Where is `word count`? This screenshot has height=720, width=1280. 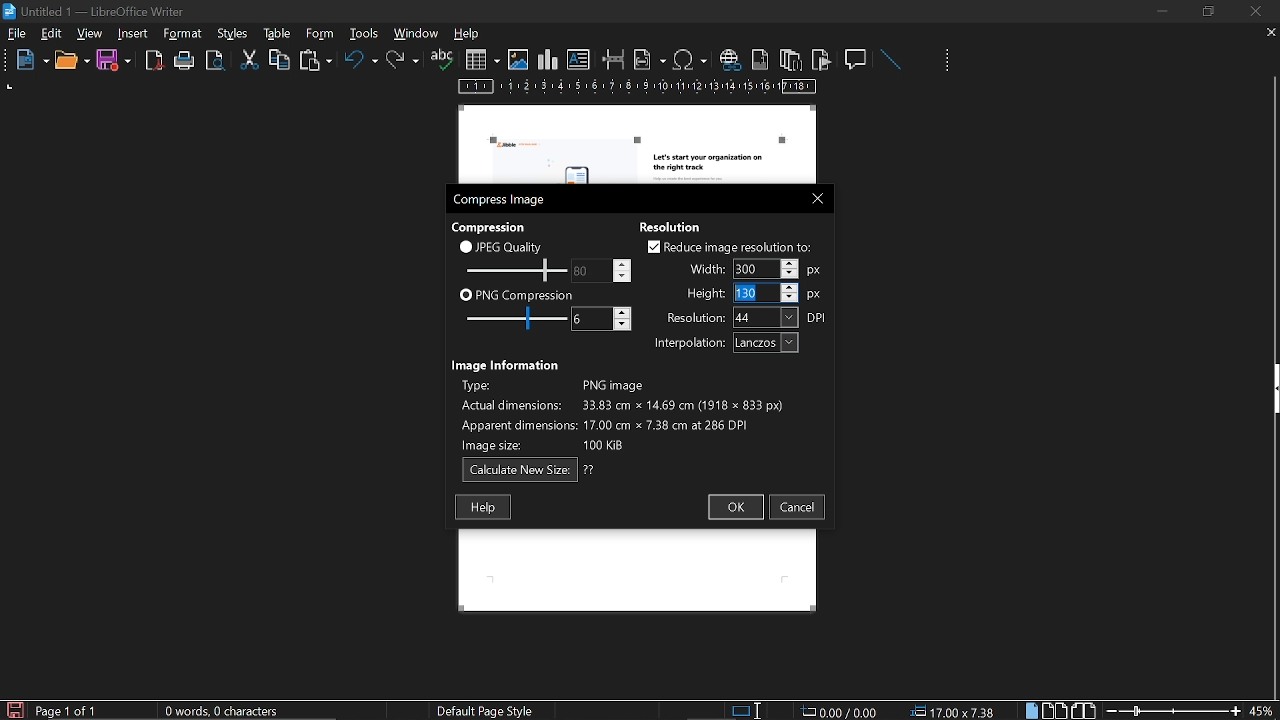
word count is located at coordinates (229, 711).